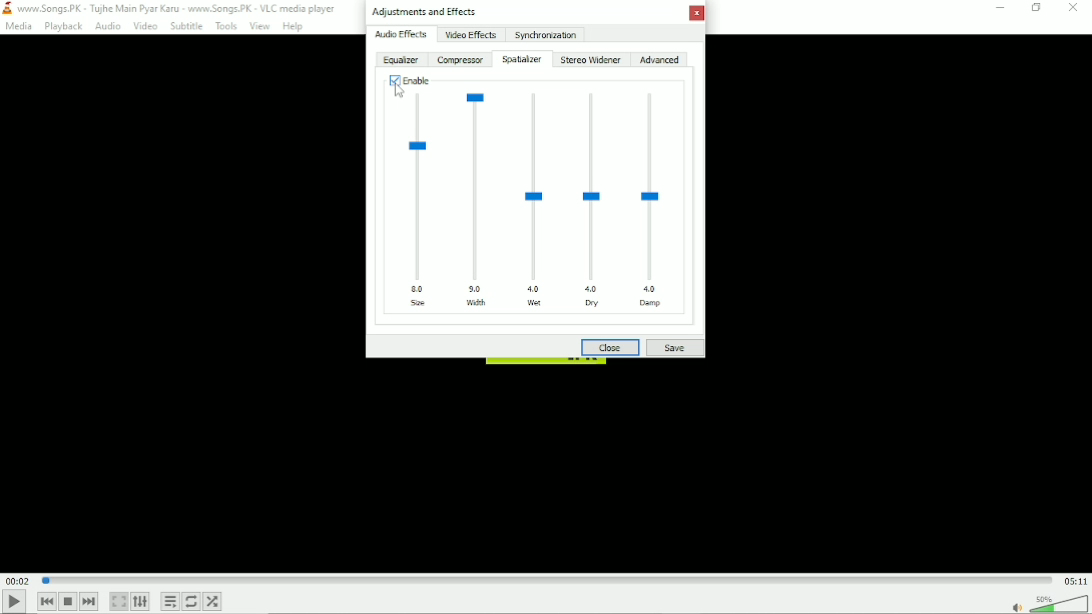 The image size is (1092, 614). I want to click on Enable, so click(410, 81).